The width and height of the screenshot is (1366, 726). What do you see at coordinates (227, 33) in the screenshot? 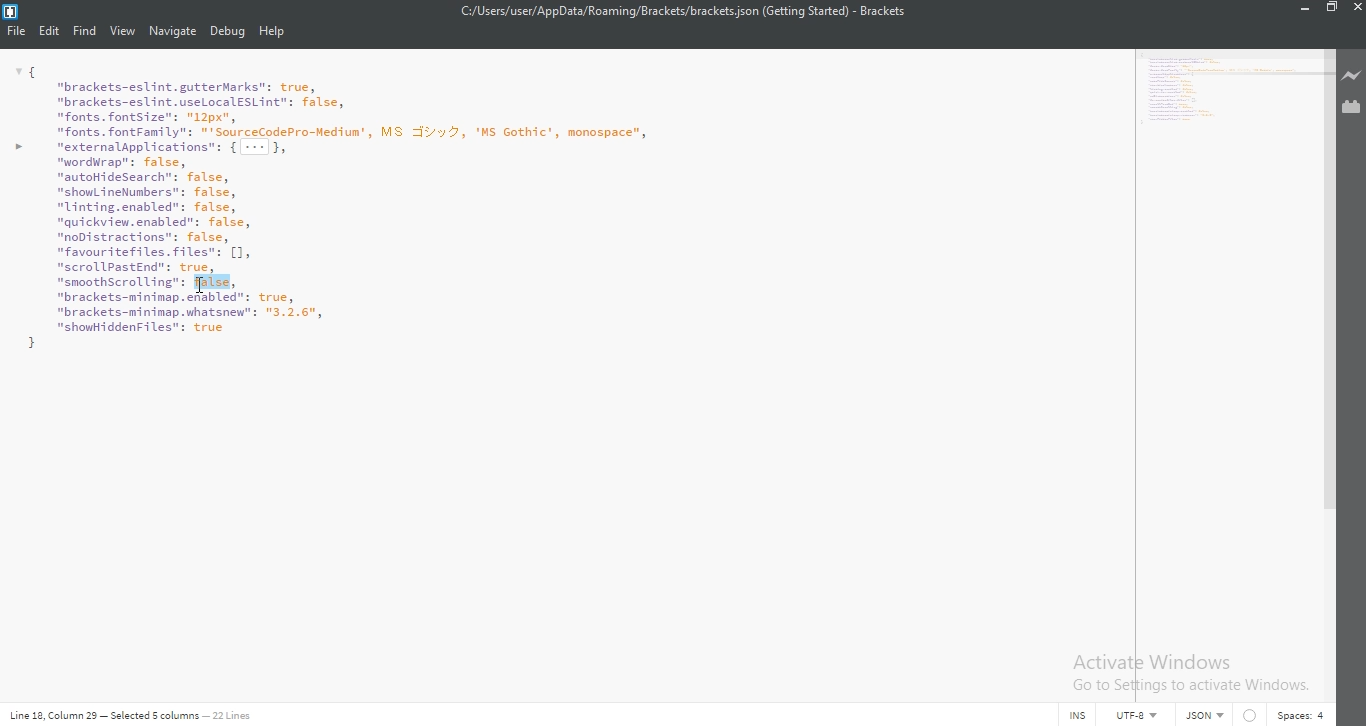
I see `Debug` at bounding box center [227, 33].